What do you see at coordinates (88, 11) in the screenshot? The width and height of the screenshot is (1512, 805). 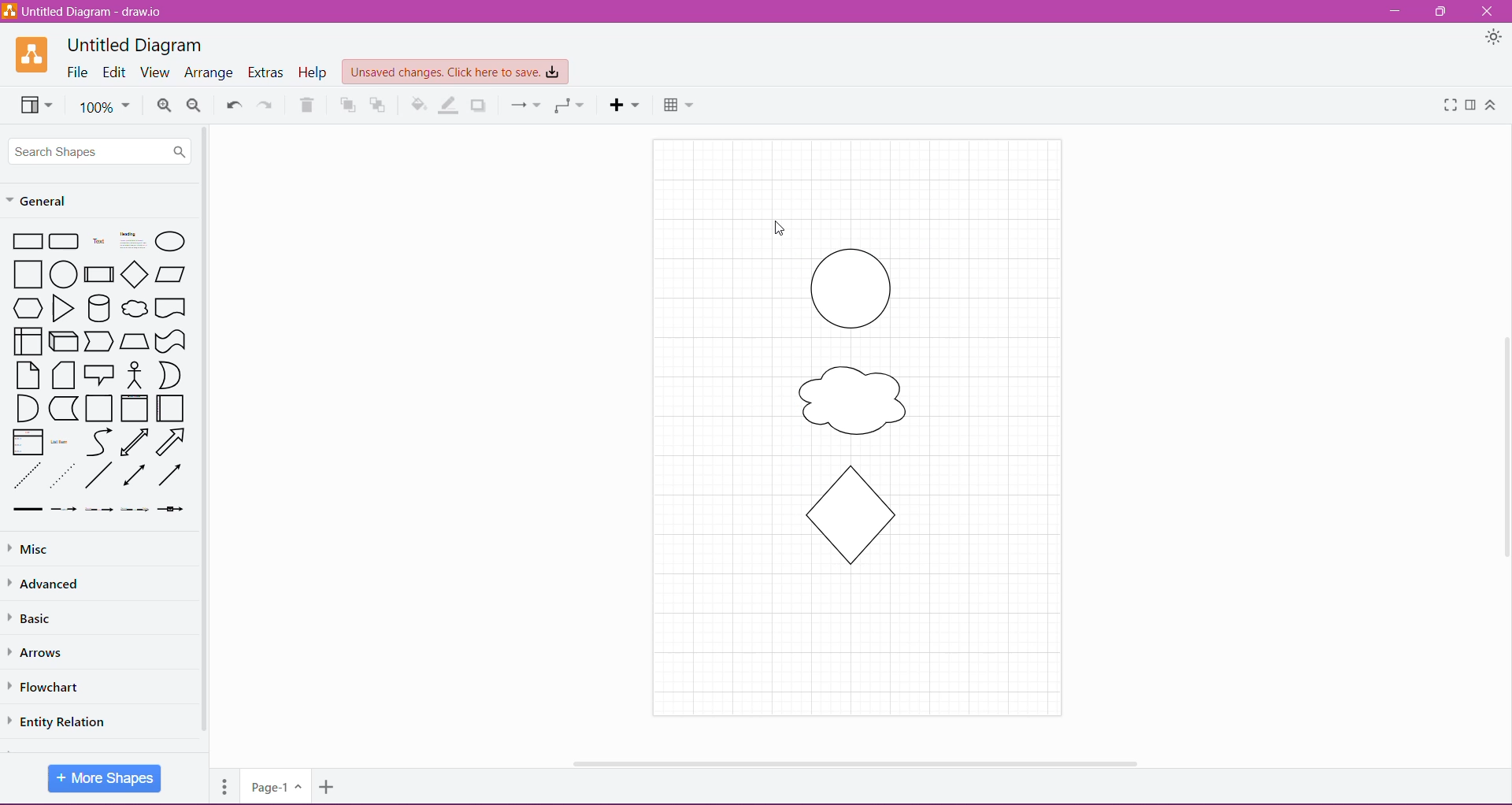 I see `Untitled Diagram - draw.io` at bounding box center [88, 11].